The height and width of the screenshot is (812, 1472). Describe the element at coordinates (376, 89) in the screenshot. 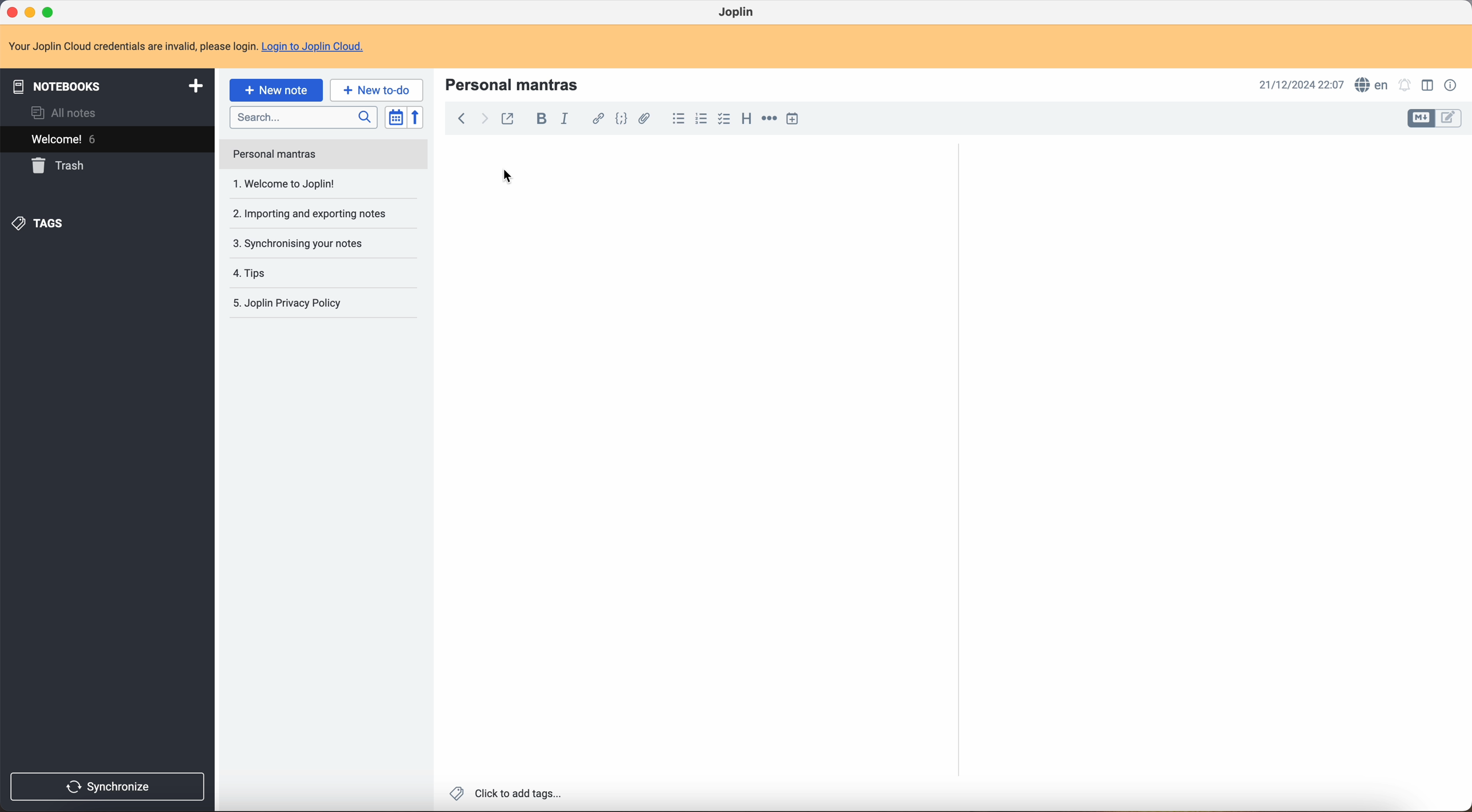

I see `new to-do` at that location.